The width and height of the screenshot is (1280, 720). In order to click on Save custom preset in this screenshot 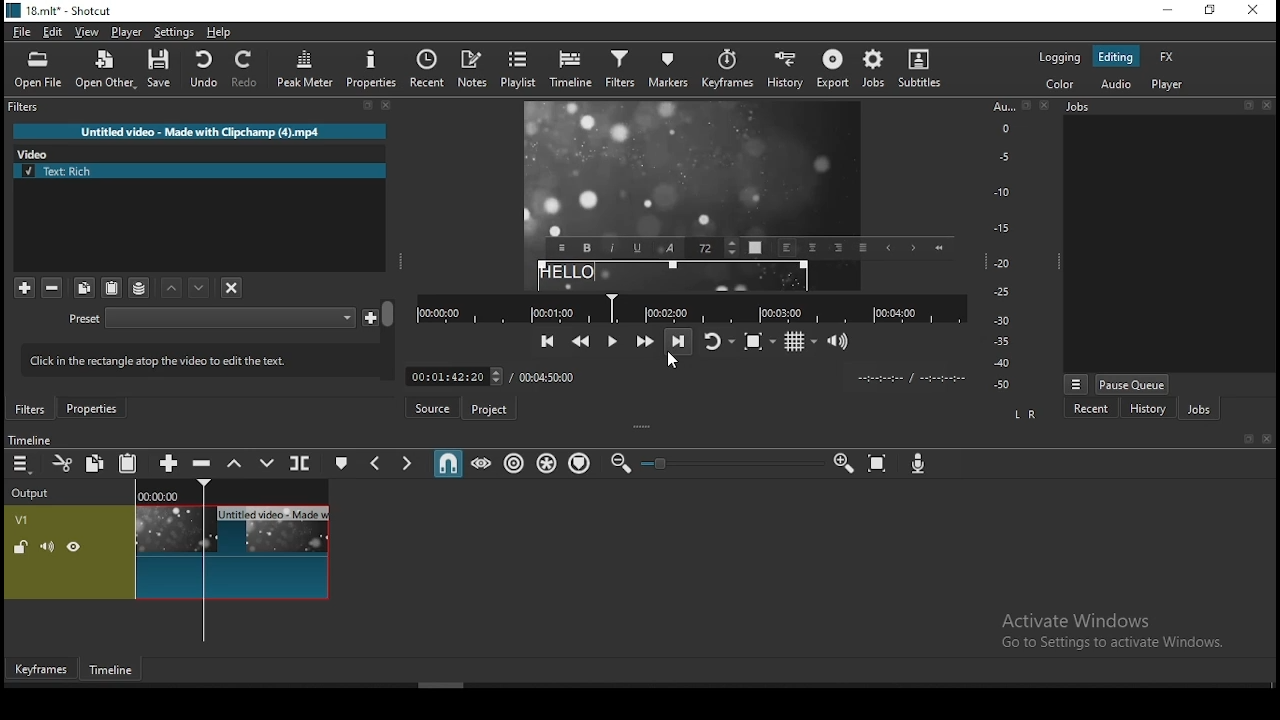, I will do `click(371, 316)`.